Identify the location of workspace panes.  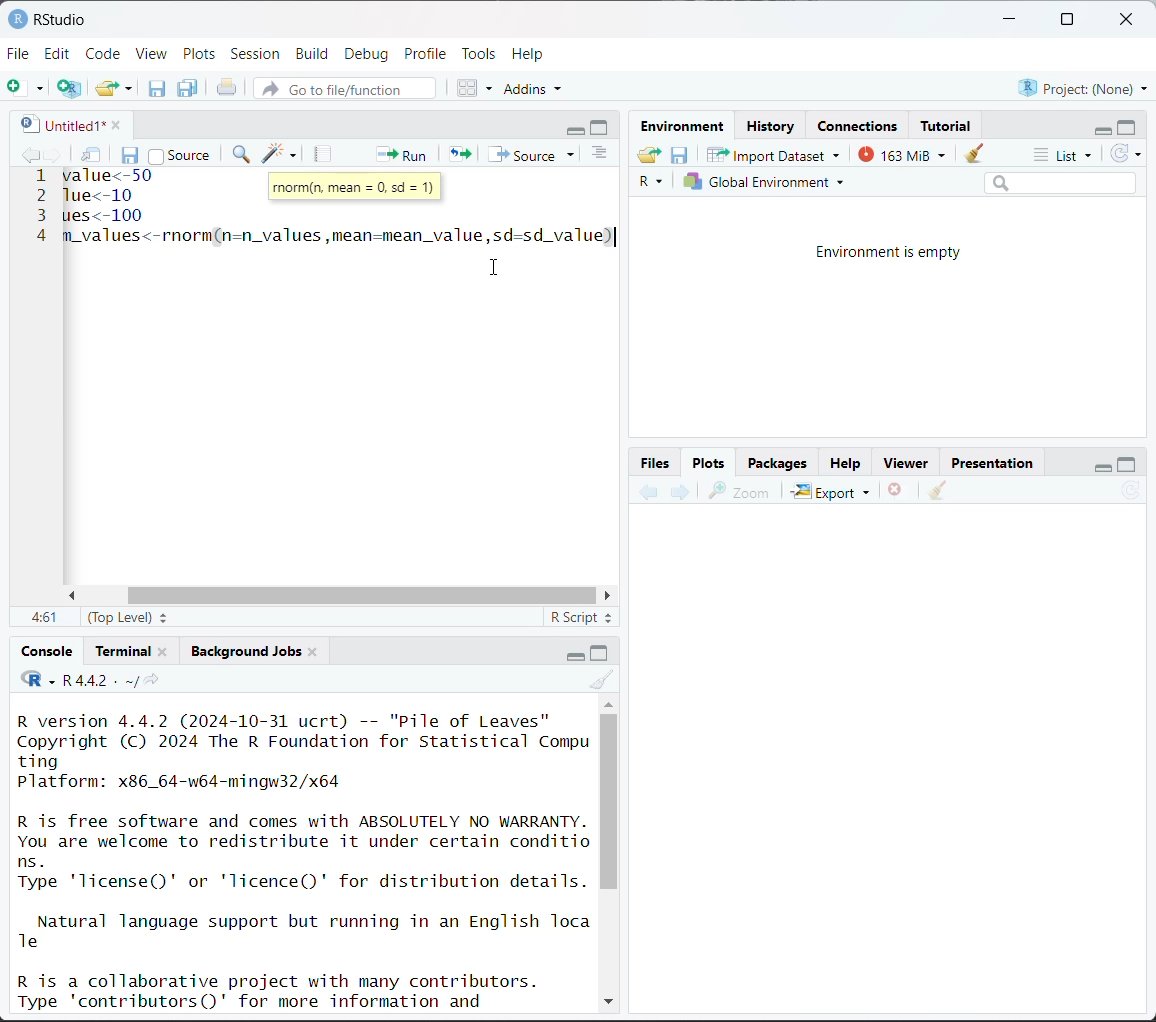
(476, 87).